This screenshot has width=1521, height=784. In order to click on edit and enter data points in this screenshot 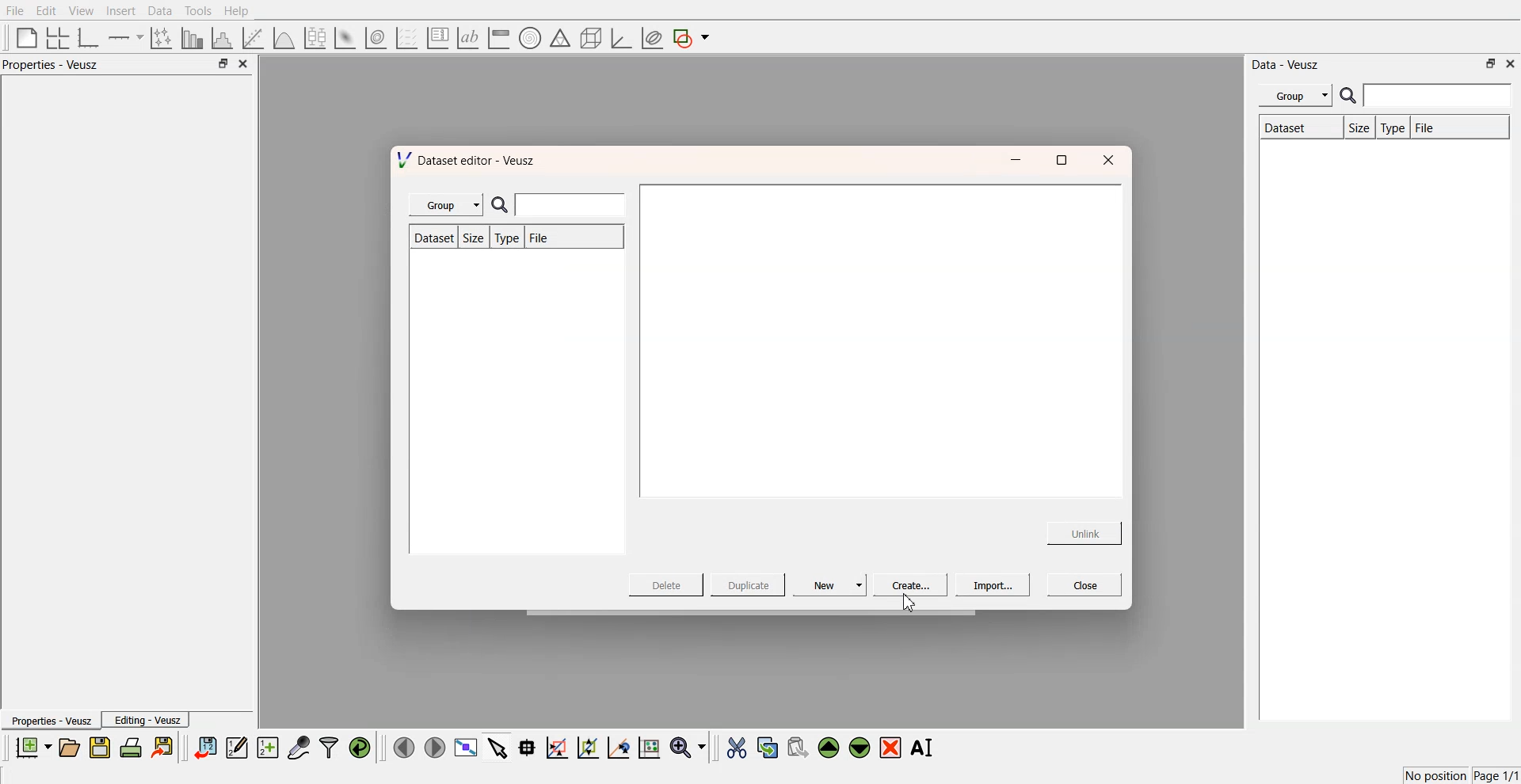, I will do `click(237, 749)`.